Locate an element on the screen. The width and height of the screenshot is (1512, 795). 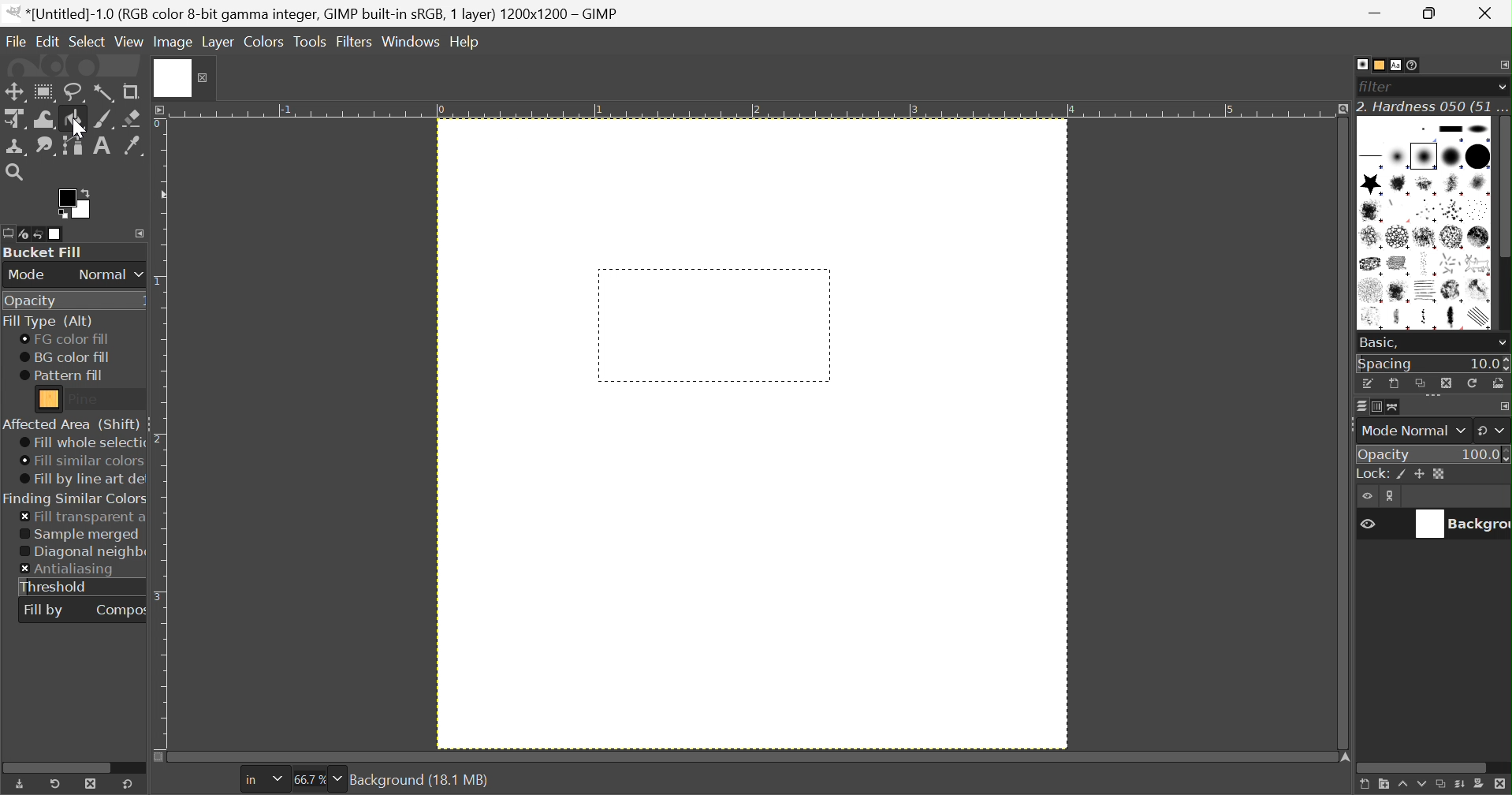
66.7% is located at coordinates (309, 780).